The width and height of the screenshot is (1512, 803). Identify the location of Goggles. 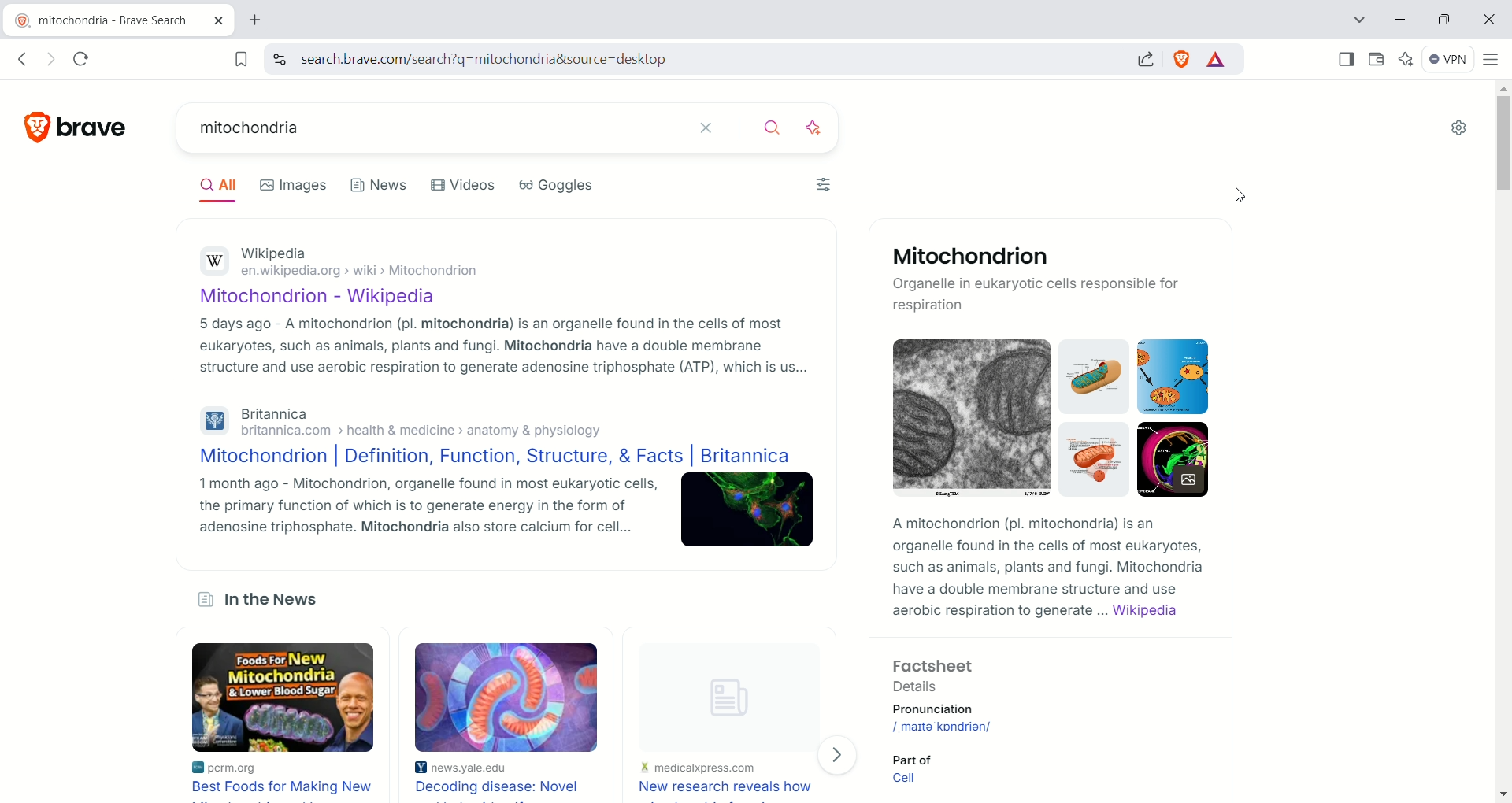
(559, 187).